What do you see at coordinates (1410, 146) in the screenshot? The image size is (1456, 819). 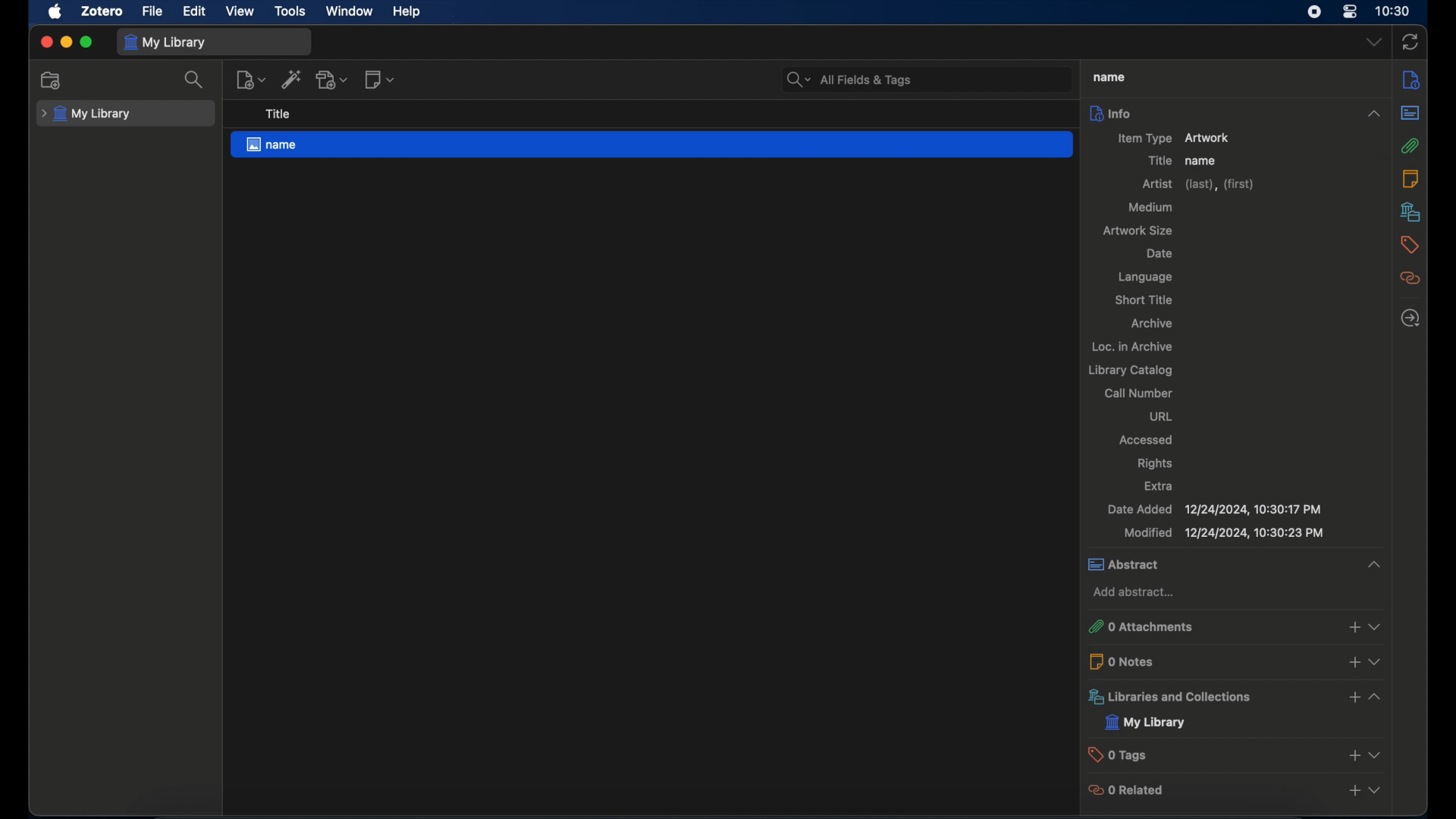 I see `attachments` at bounding box center [1410, 146].